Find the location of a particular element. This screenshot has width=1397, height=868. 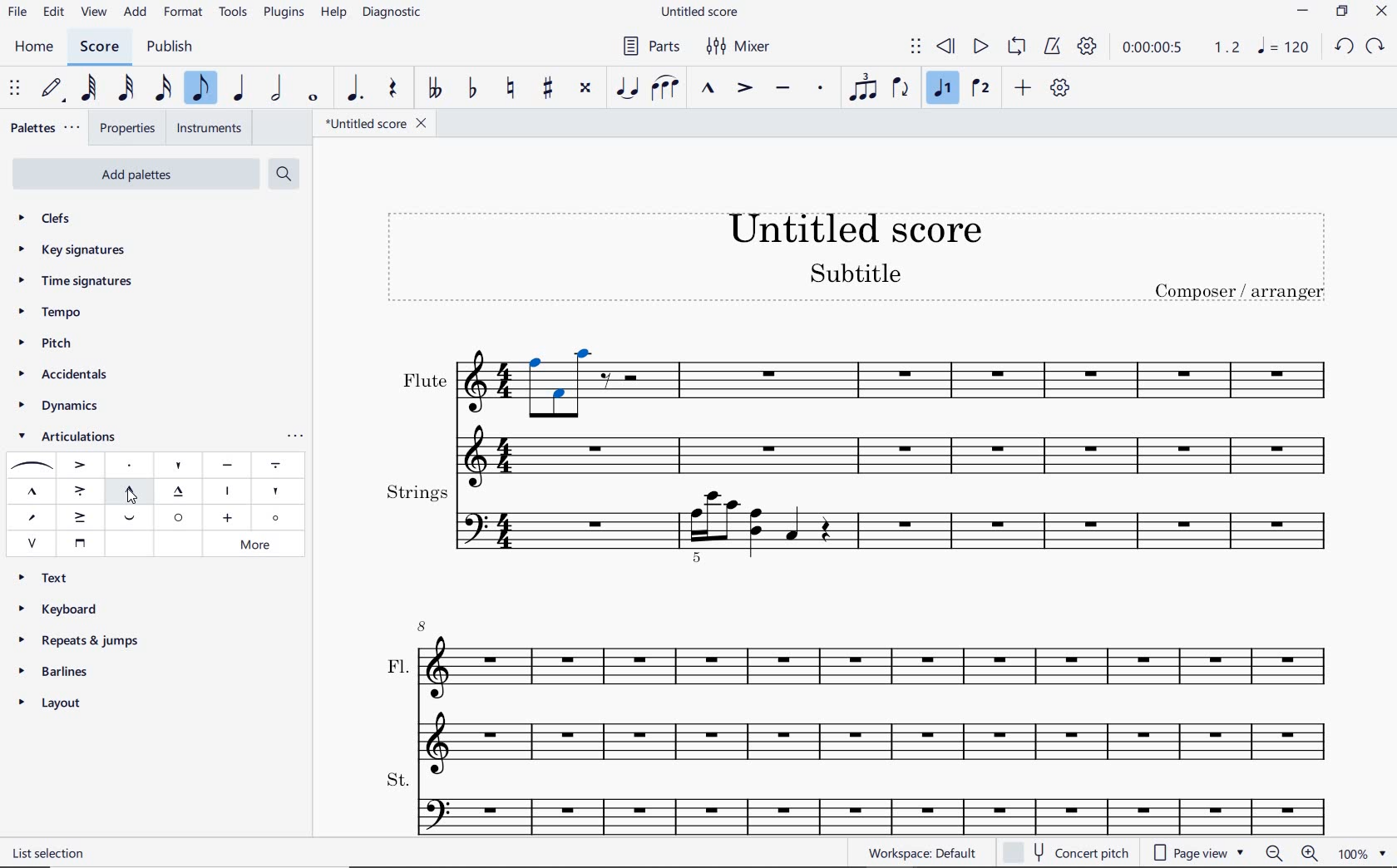

MARCATO-STACCATO ABOVE is located at coordinates (130, 490).